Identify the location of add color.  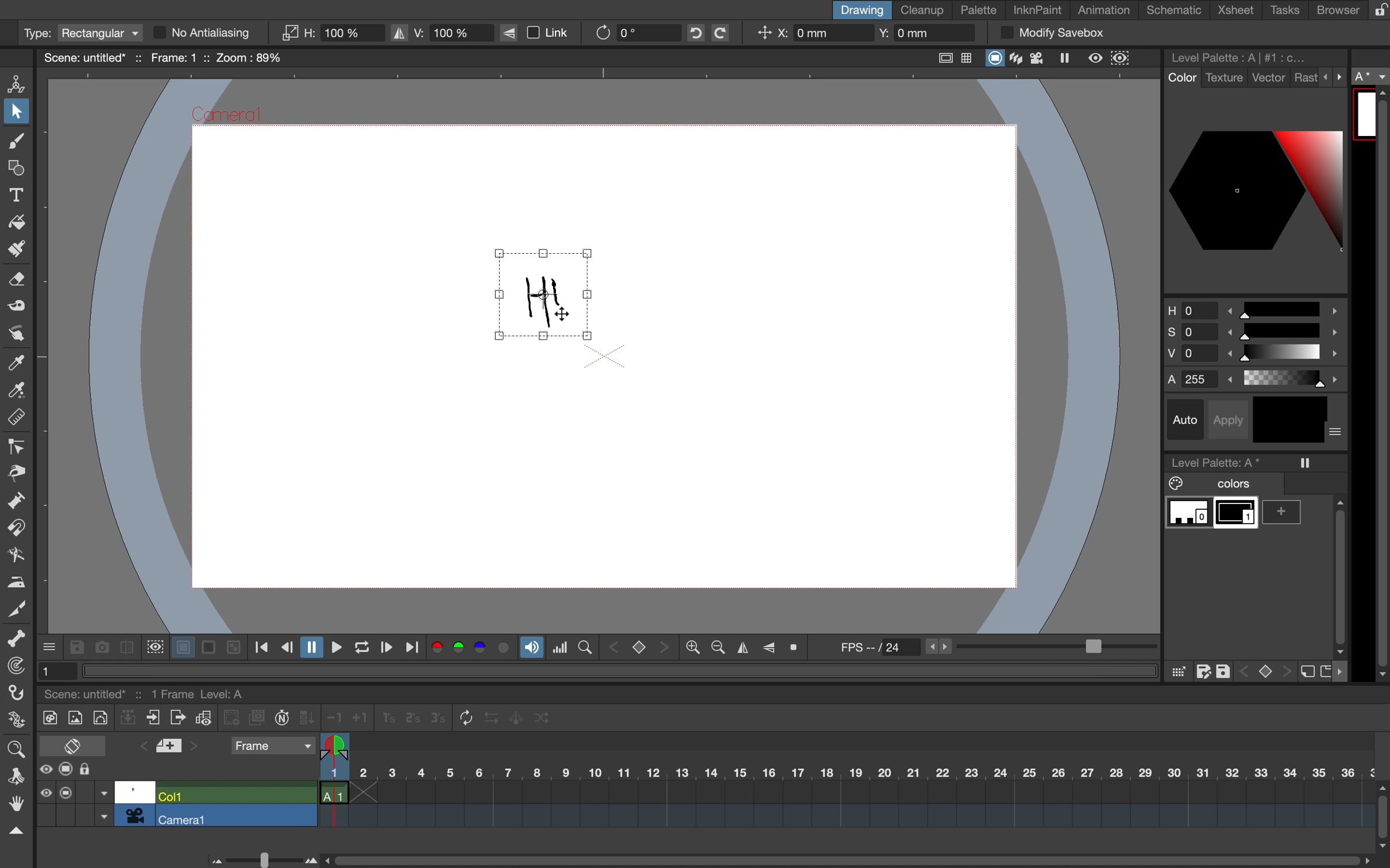
(1286, 512).